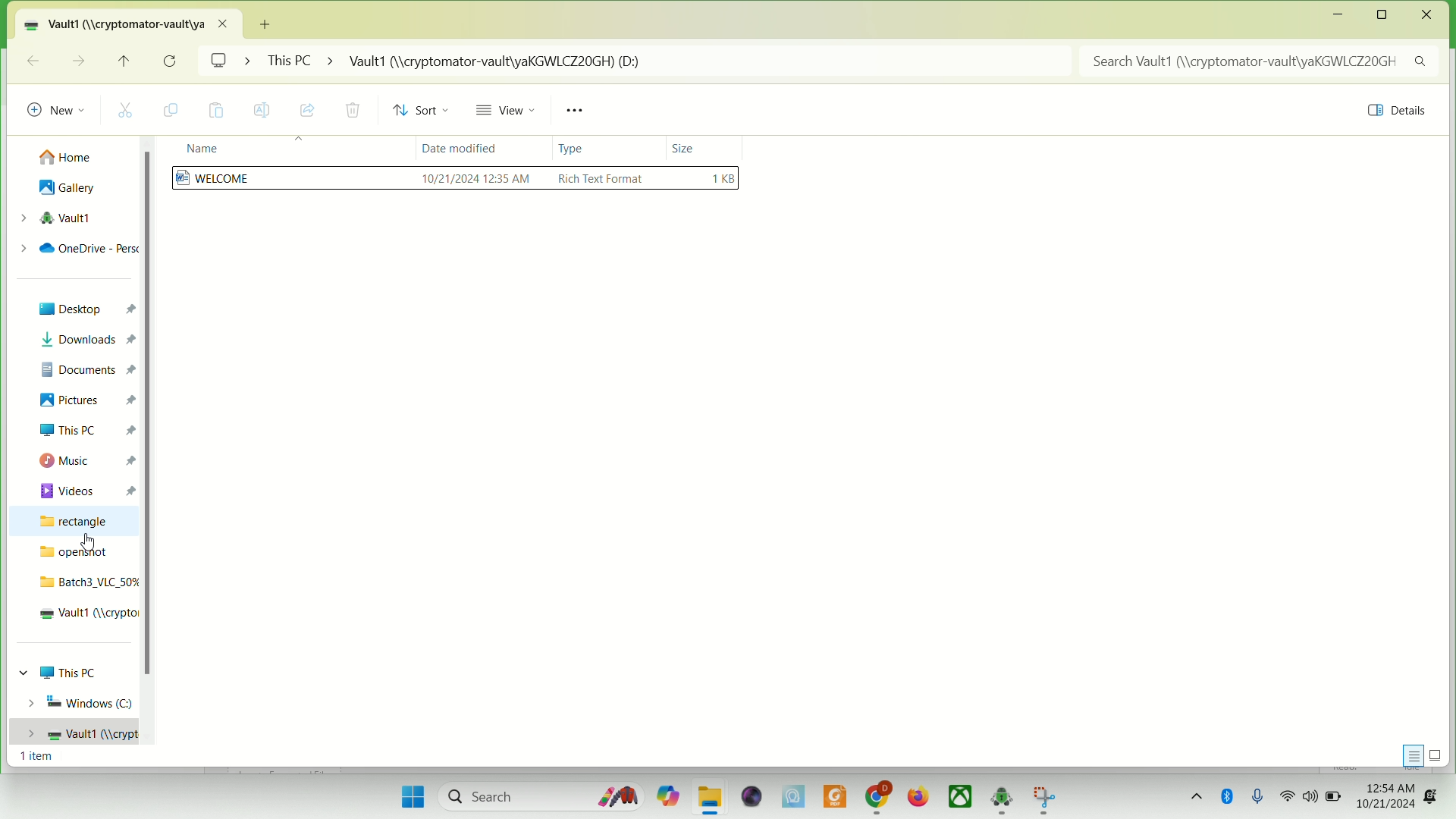 The width and height of the screenshot is (1456, 819). What do you see at coordinates (83, 309) in the screenshot?
I see `Desktop` at bounding box center [83, 309].